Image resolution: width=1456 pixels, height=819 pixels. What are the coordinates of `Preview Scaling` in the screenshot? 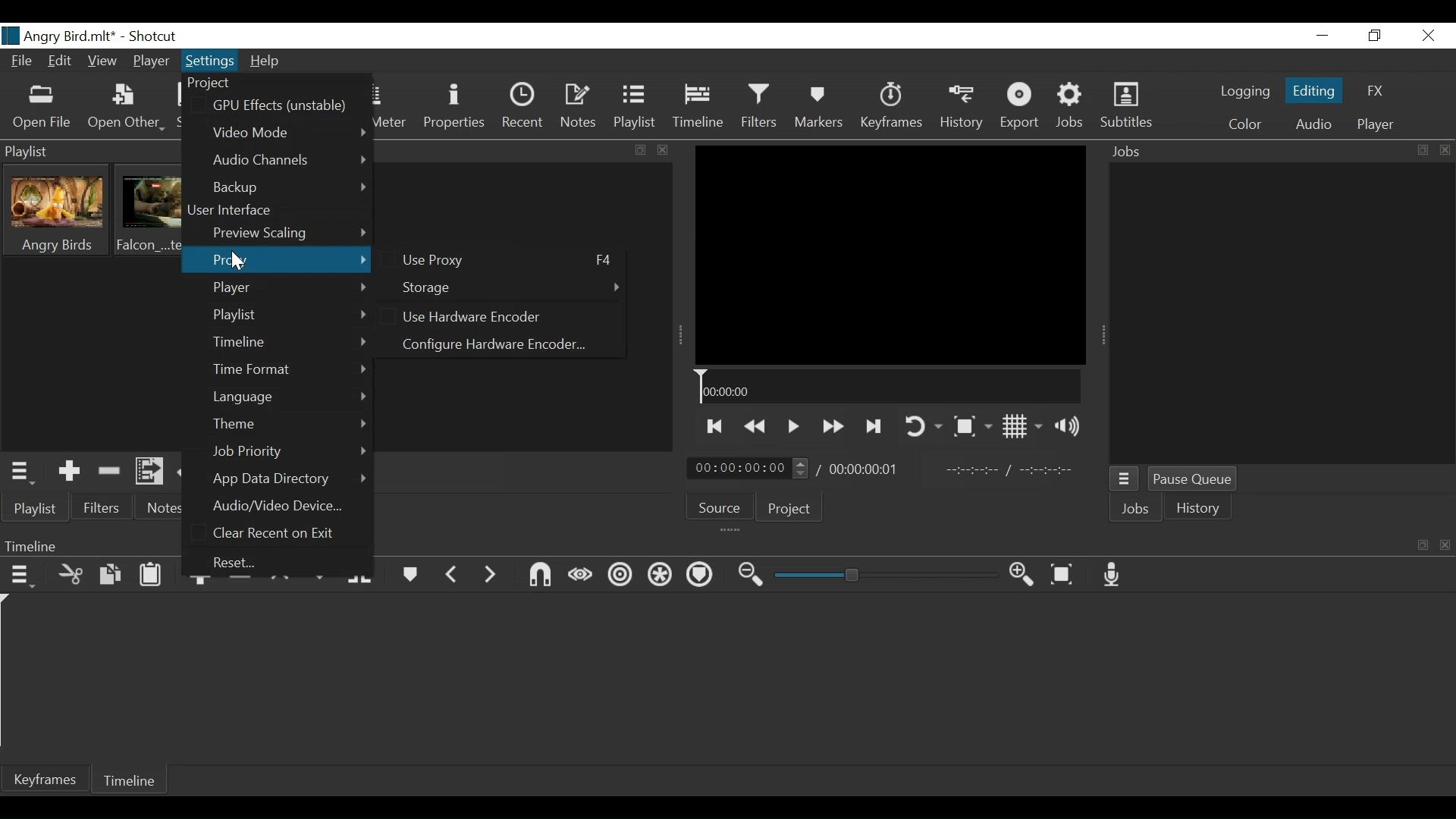 It's located at (288, 234).